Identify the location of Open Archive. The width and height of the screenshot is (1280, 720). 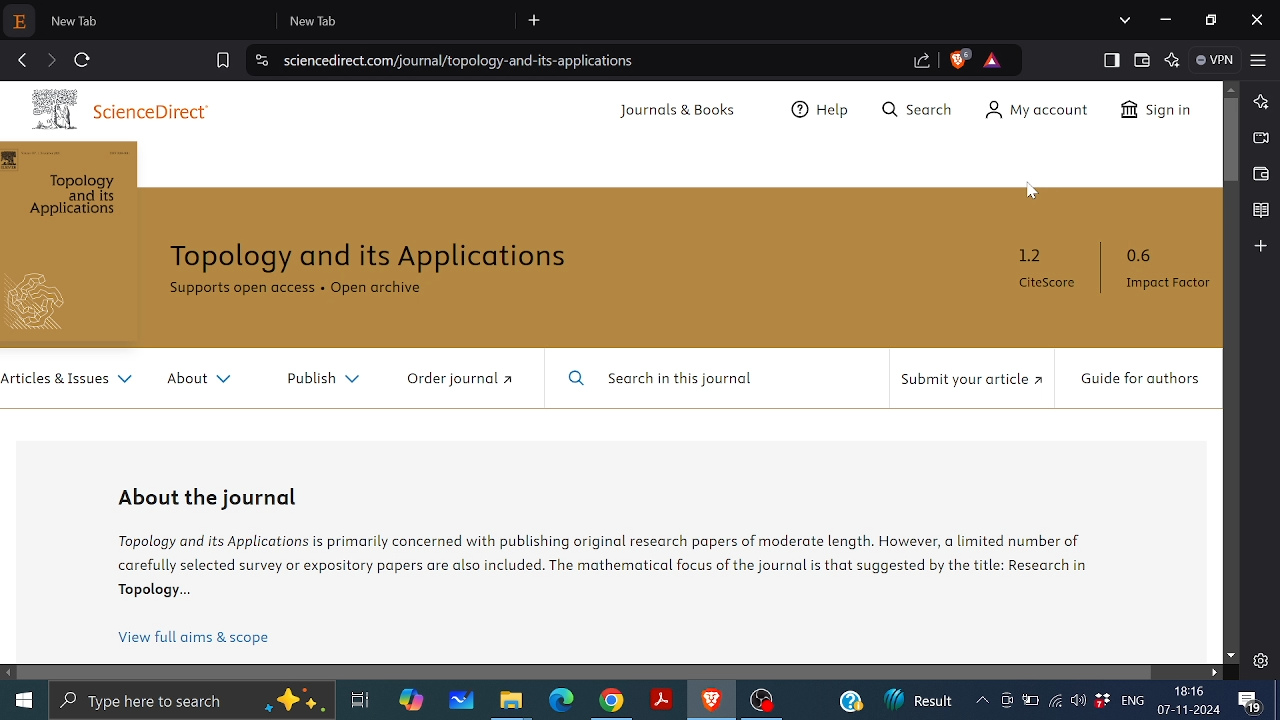
(385, 290).